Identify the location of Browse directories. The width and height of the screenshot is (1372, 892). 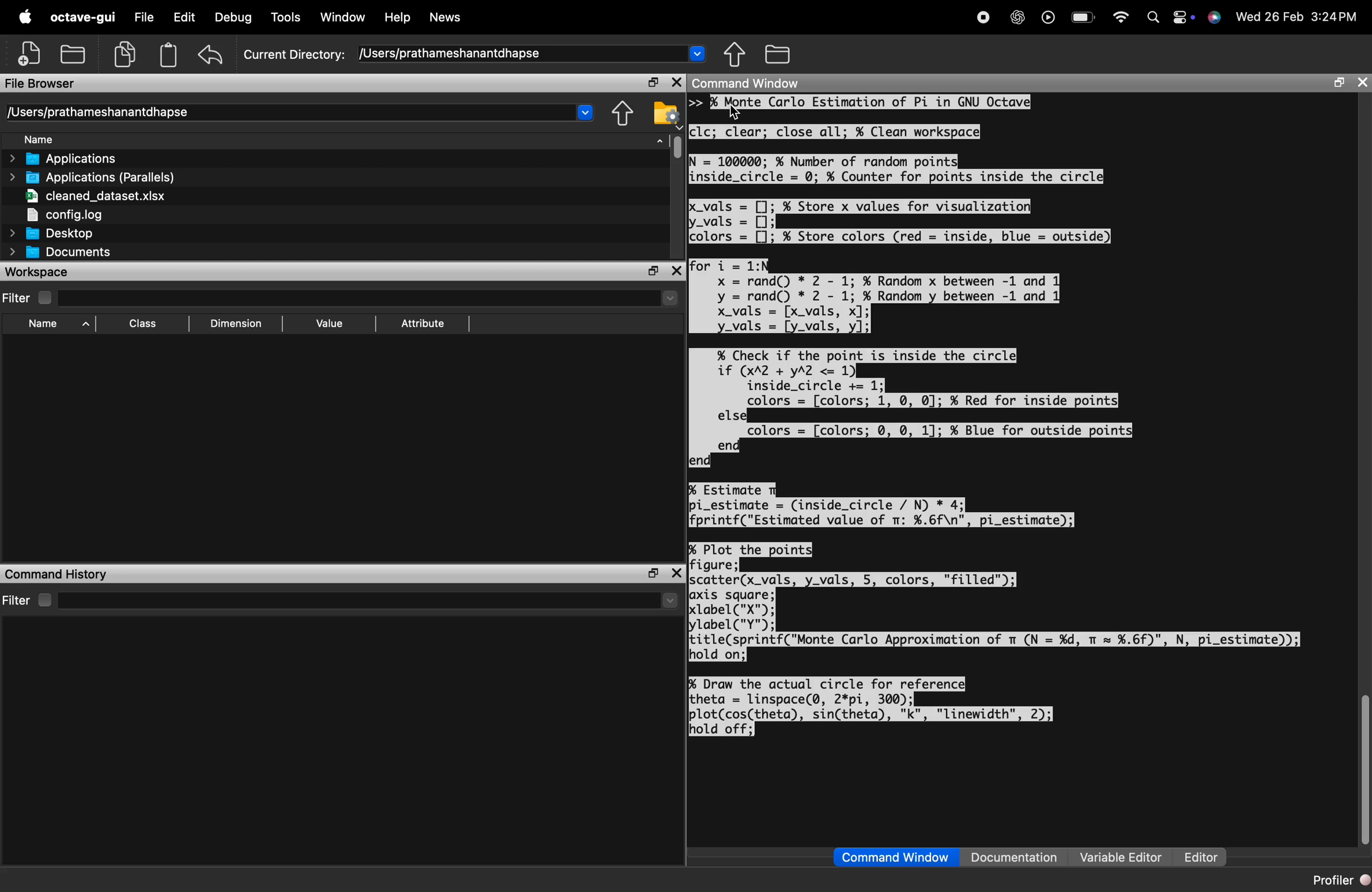
(778, 54).